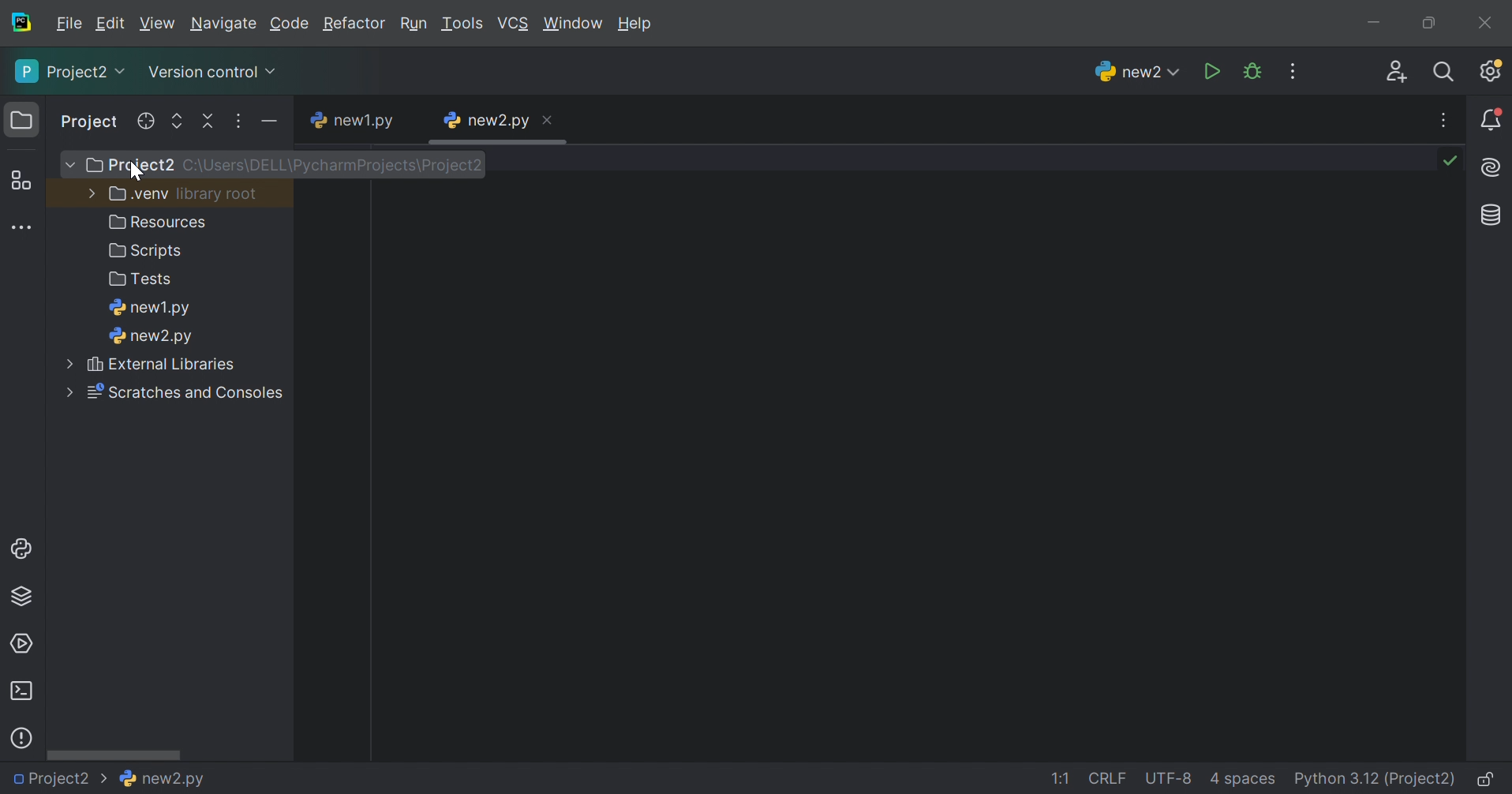 This screenshot has width=1512, height=794. Describe the element at coordinates (22, 691) in the screenshot. I see `Terminal` at that location.